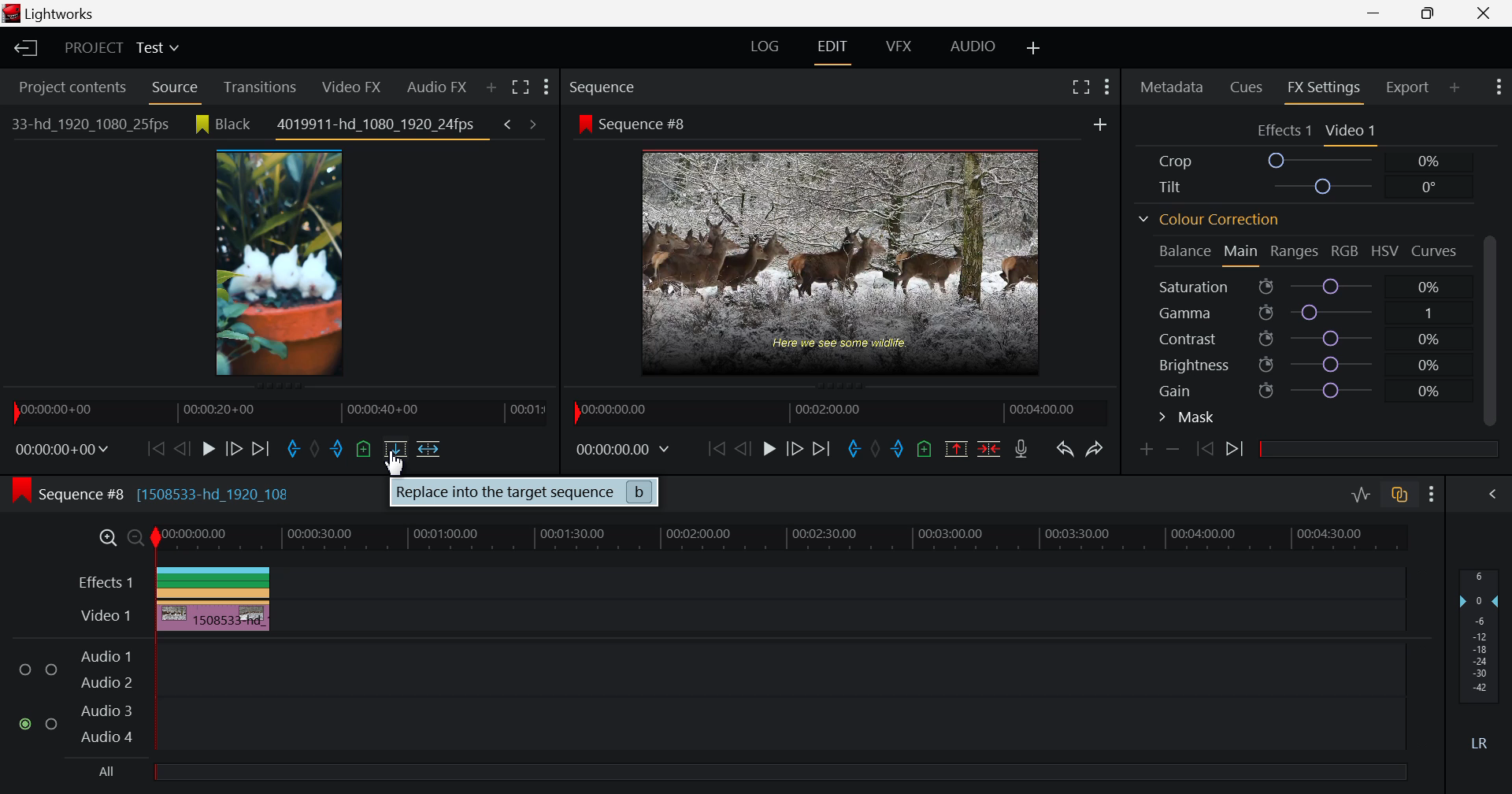 The height and width of the screenshot is (794, 1512). I want to click on Show Audio Mix, so click(1492, 493).